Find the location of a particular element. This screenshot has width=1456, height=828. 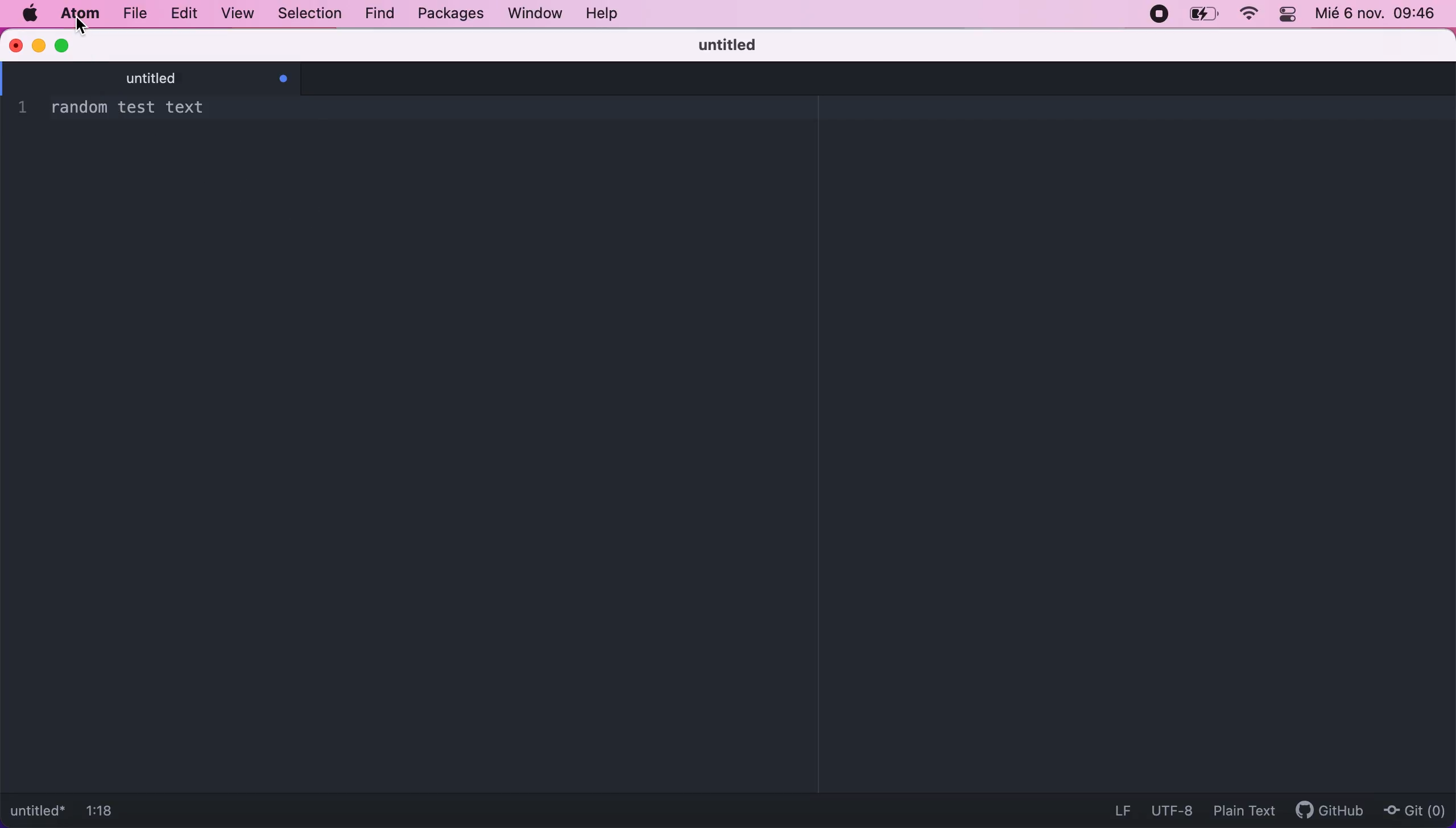

battery is located at coordinates (1205, 14).